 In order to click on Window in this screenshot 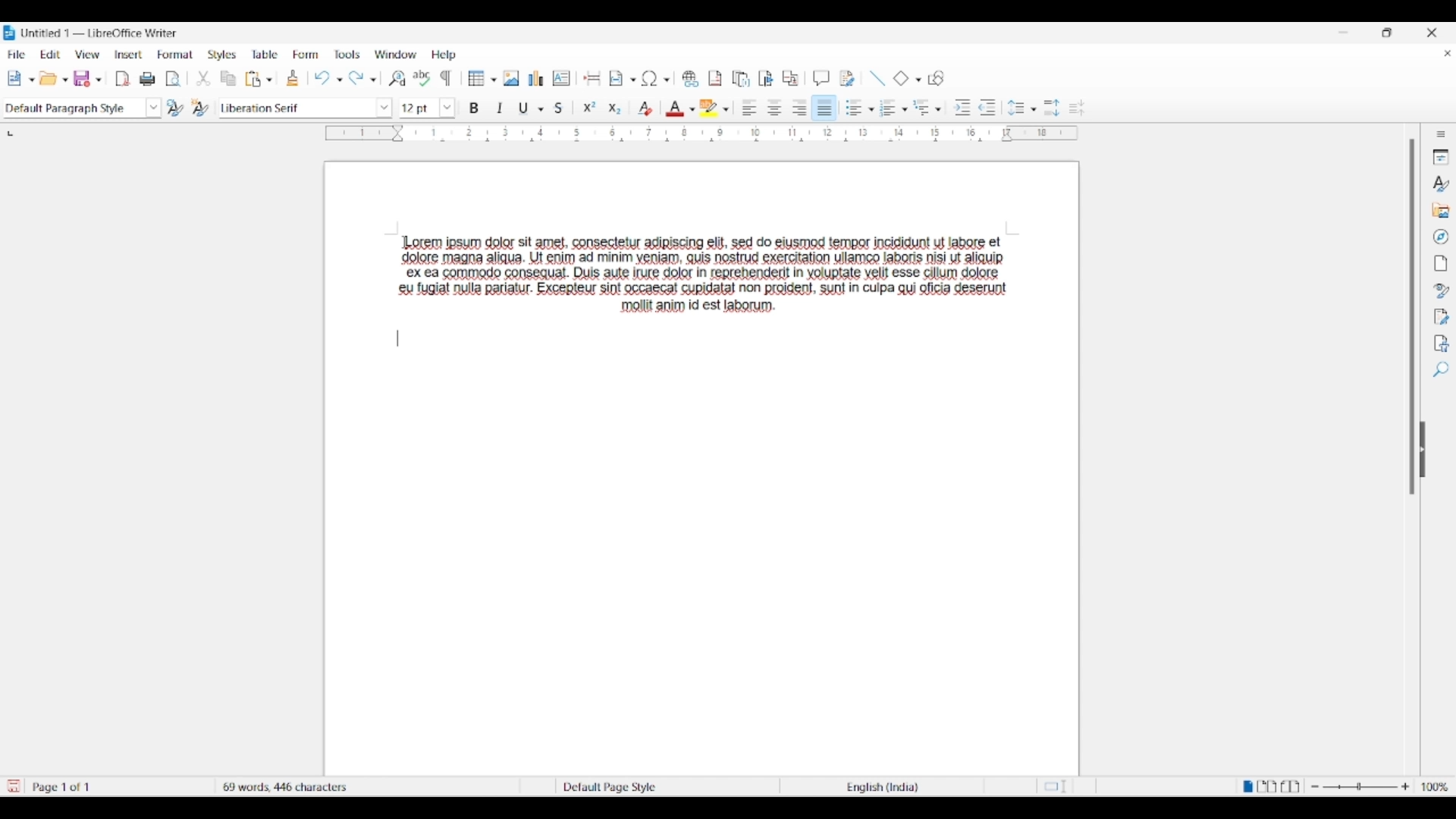, I will do `click(396, 54)`.